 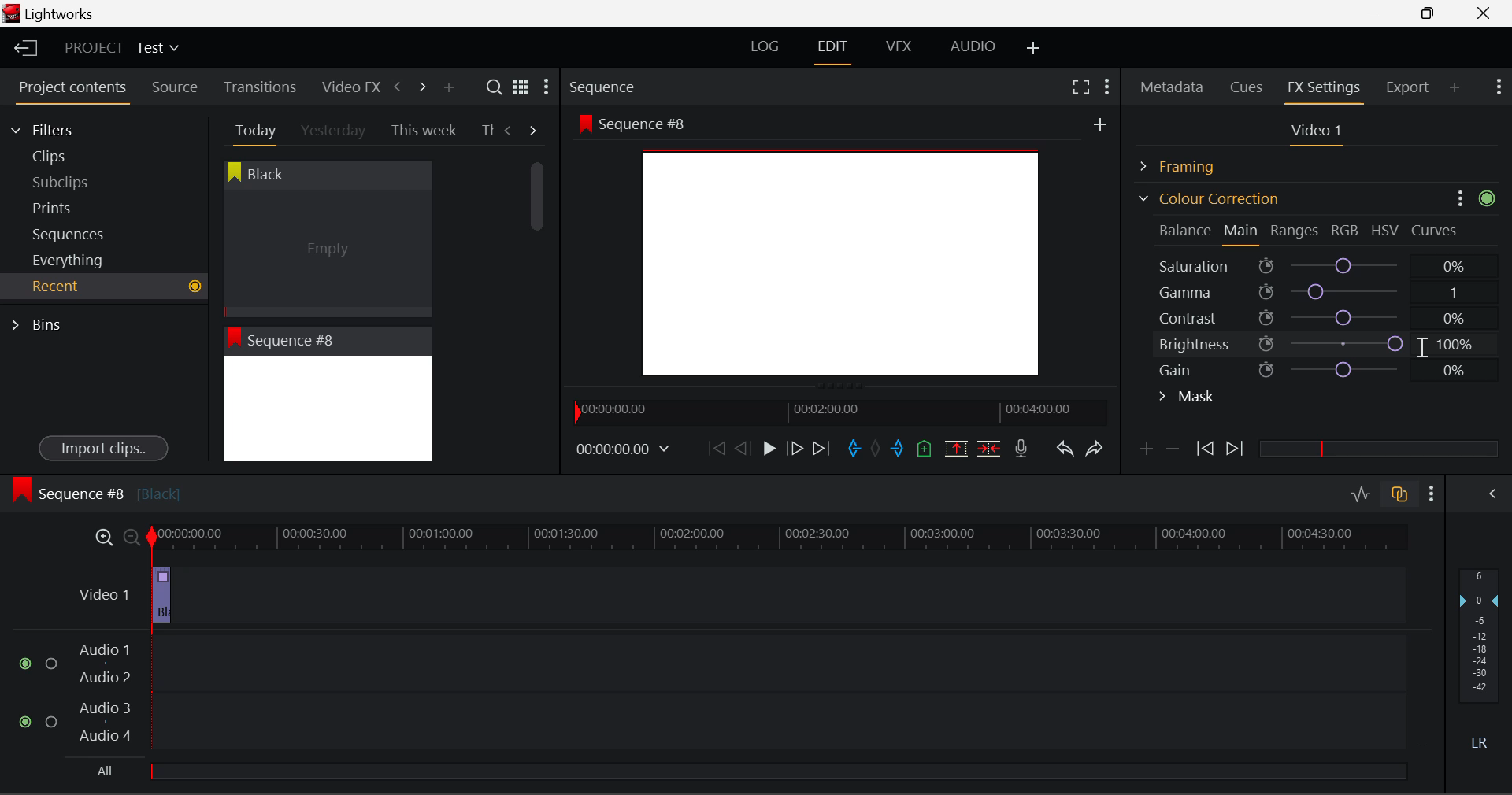 I want to click on Show Audio Mix, so click(x=1494, y=492).